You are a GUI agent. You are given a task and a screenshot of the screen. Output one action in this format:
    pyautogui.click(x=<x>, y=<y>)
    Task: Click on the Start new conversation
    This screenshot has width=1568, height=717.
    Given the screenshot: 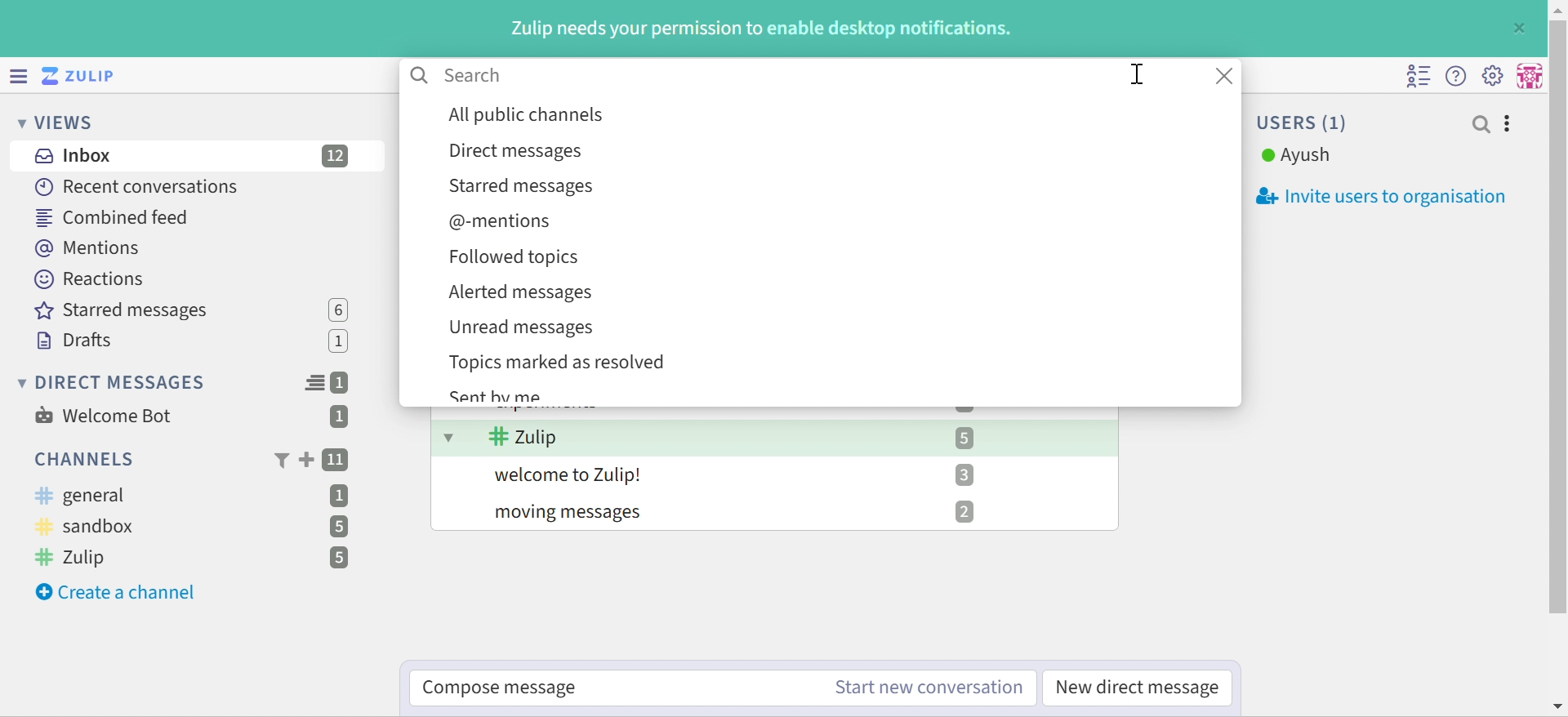 What is the action you would take?
    pyautogui.click(x=929, y=688)
    